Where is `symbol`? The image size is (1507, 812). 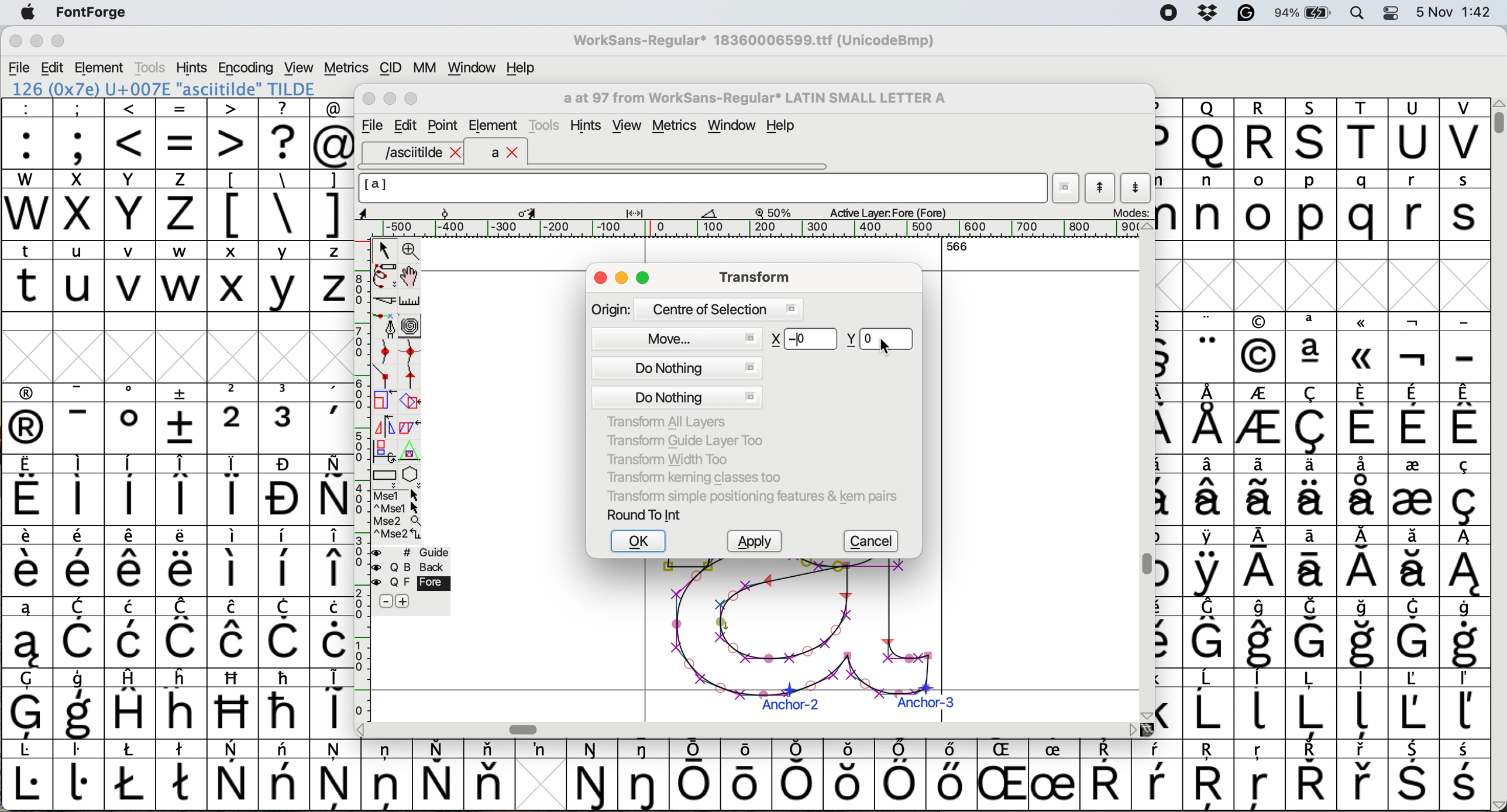
symbol is located at coordinates (438, 775).